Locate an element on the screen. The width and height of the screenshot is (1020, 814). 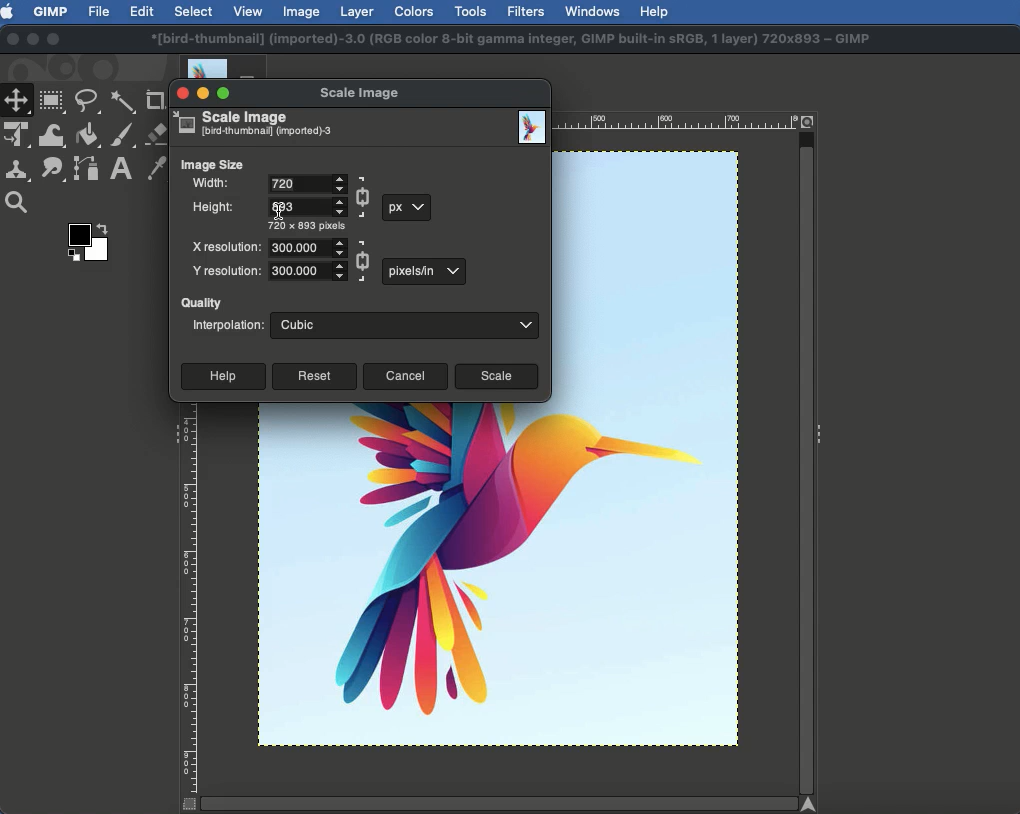
X resolution is located at coordinates (225, 247).